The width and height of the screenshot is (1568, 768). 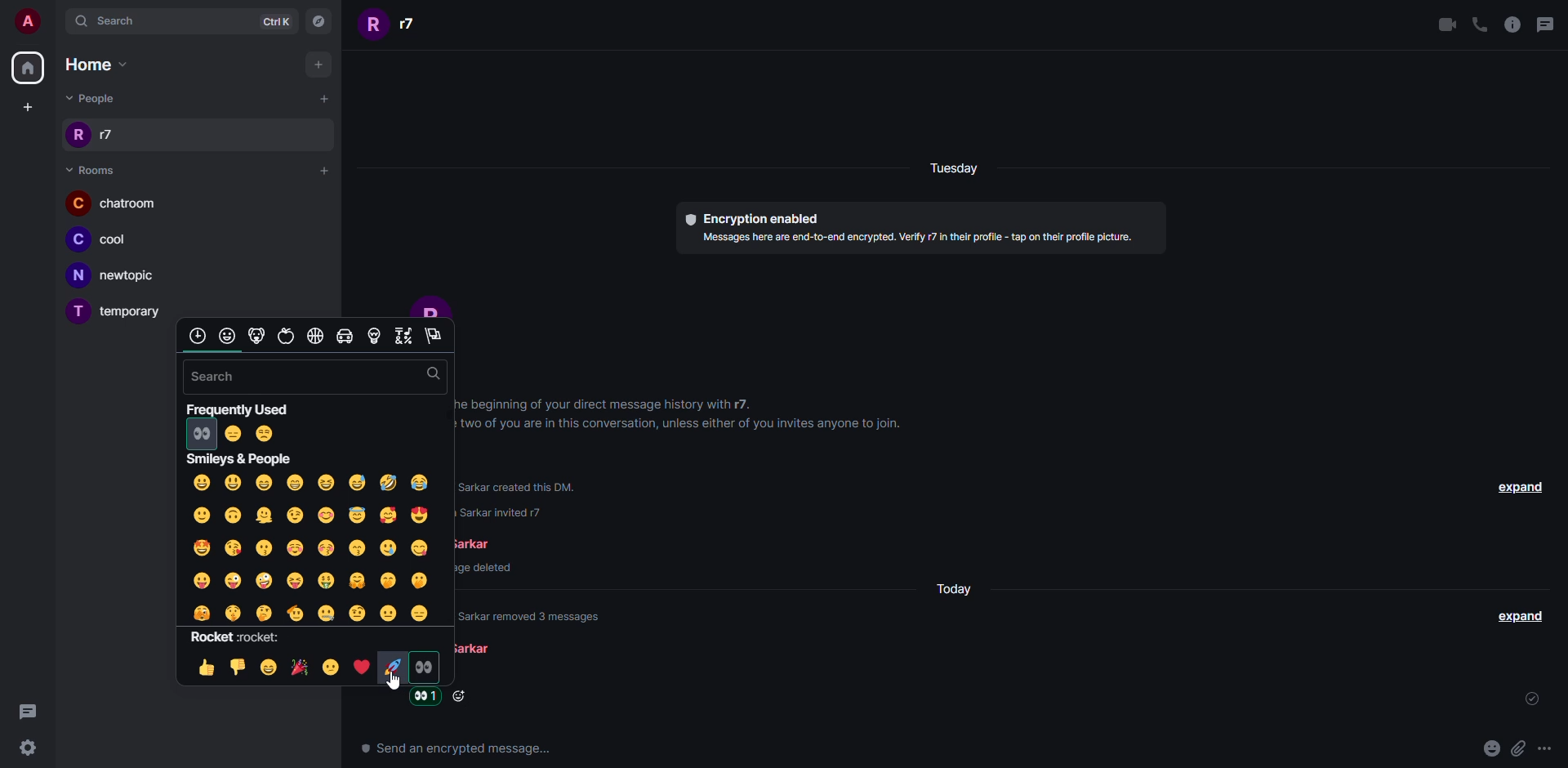 I want to click on text, so click(x=459, y=748).